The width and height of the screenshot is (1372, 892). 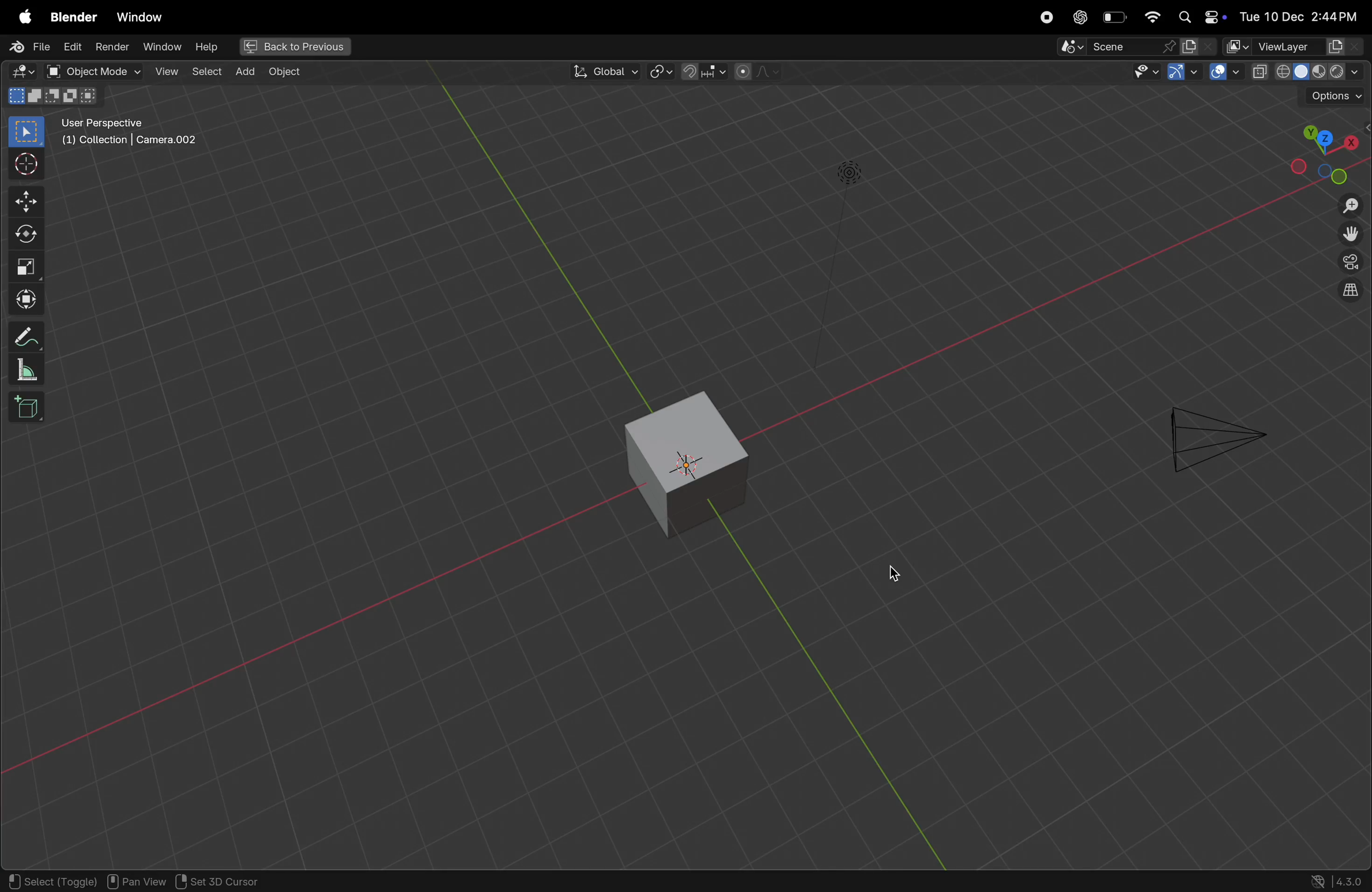 What do you see at coordinates (1296, 47) in the screenshot?
I see `View layer` at bounding box center [1296, 47].